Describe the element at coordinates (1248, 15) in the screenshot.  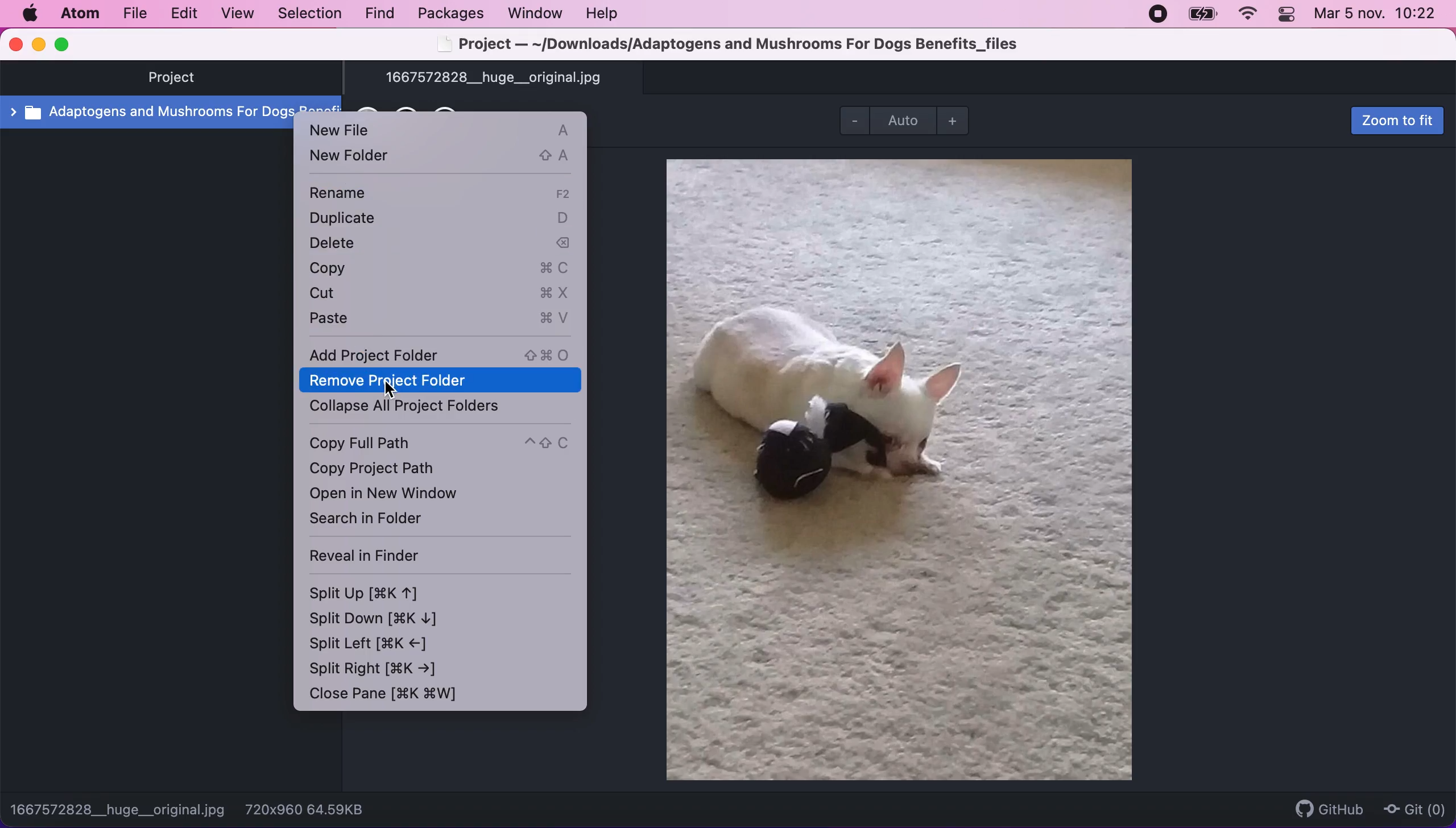
I see `wifi` at that location.